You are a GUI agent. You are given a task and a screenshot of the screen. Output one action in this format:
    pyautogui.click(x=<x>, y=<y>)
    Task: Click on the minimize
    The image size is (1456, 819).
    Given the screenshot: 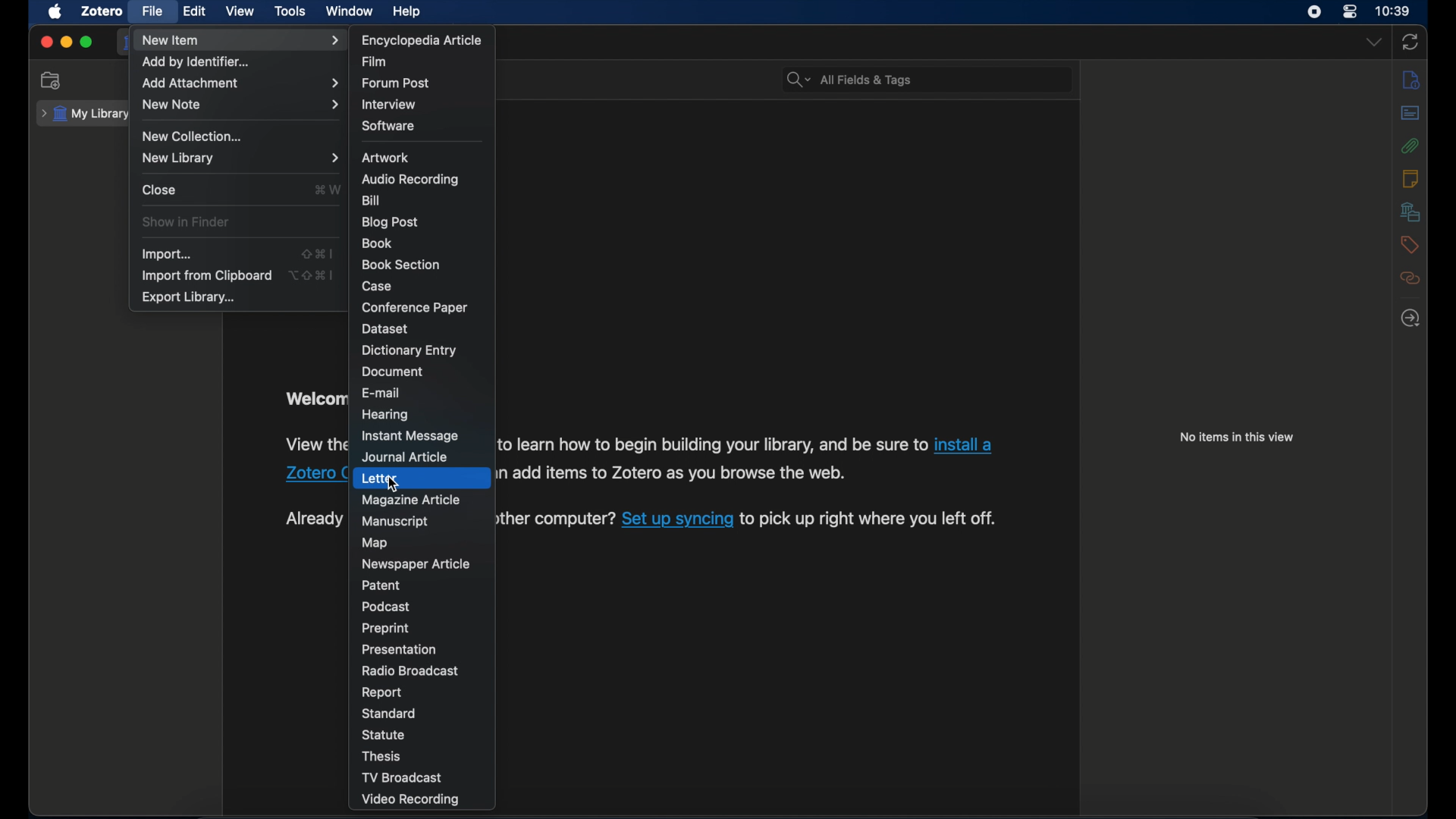 What is the action you would take?
    pyautogui.click(x=67, y=43)
    